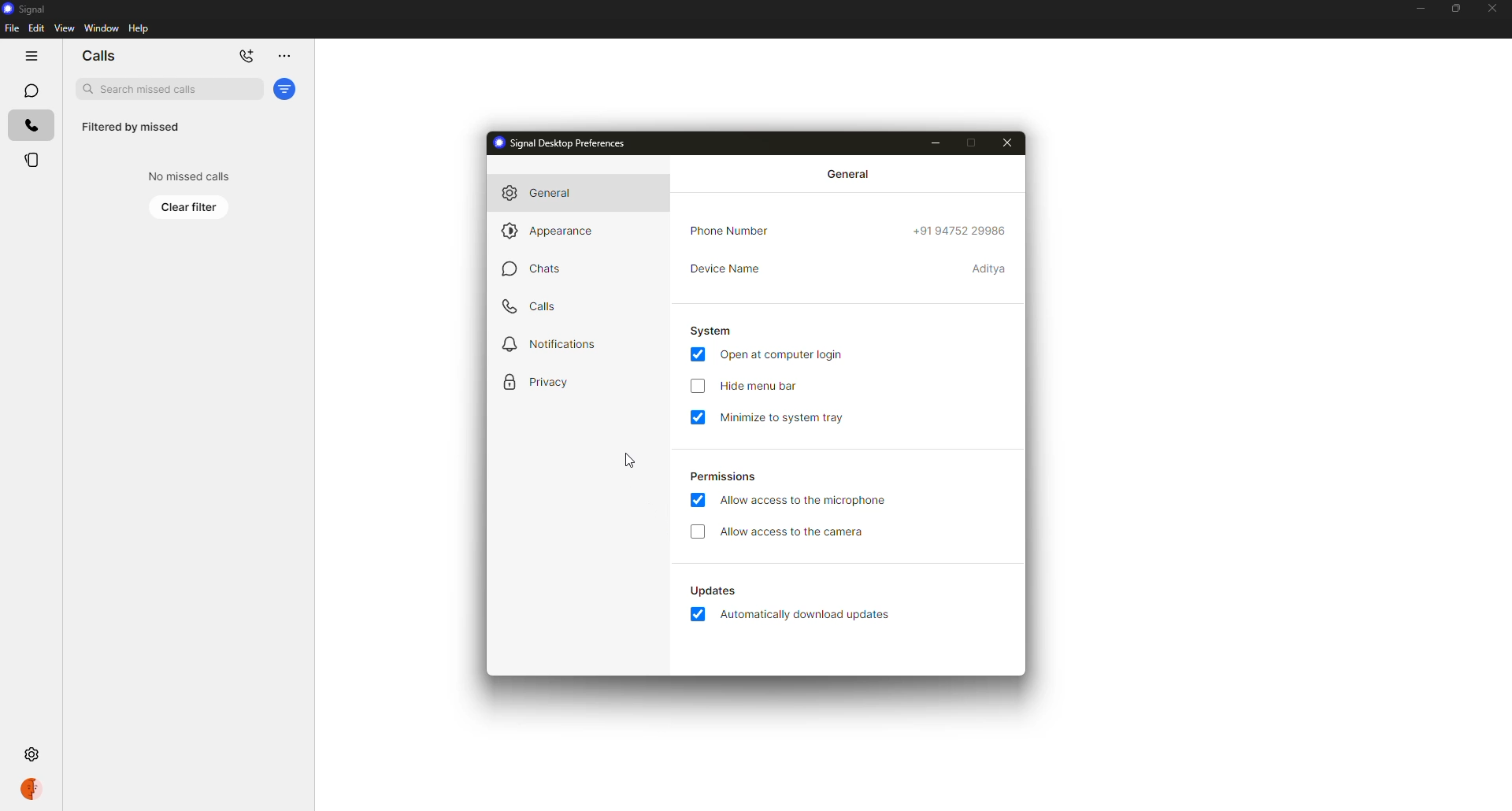 Image resolution: width=1512 pixels, height=811 pixels. What do you see at coordinates (795, 533) in the screenshot?
I see `allow access to camera` at bounding box center [795, 533].